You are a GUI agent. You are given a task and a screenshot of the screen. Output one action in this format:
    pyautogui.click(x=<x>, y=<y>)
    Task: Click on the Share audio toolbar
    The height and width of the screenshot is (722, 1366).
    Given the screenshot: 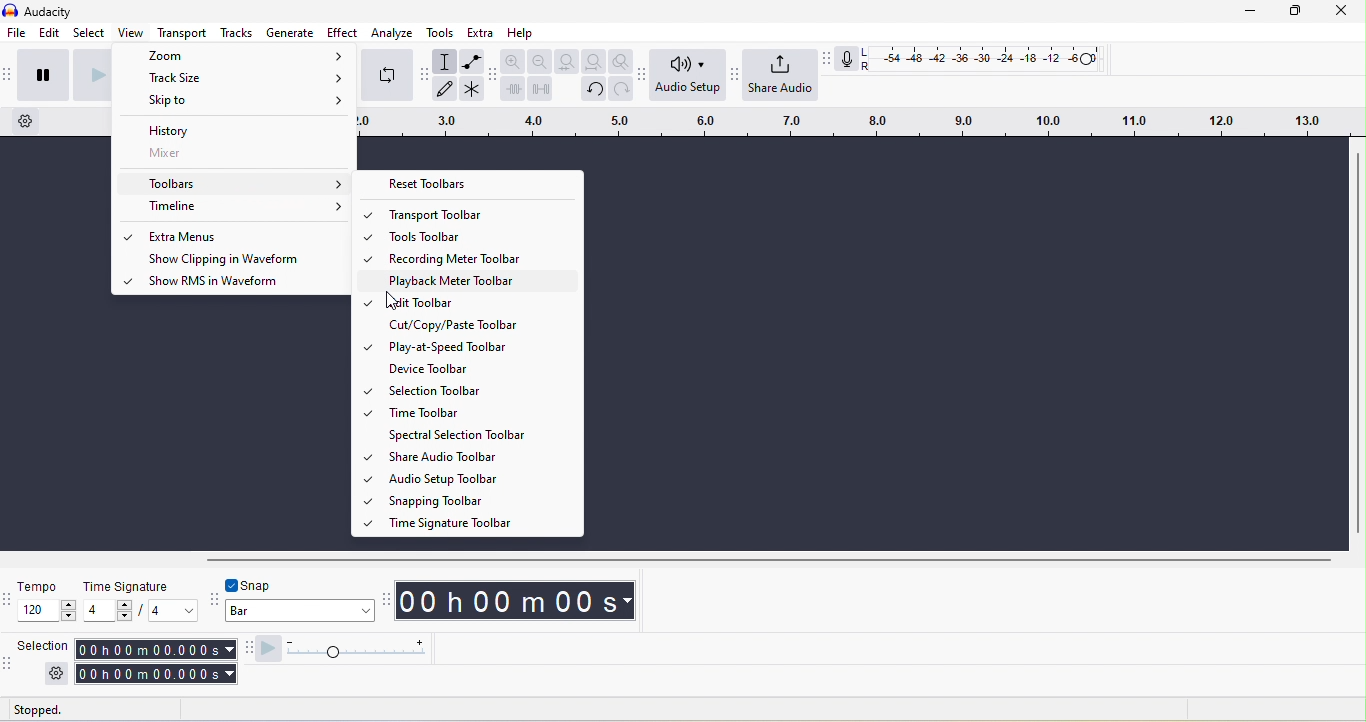 What is the action you would take?
    pyautogui.click(x=478, y=456)
    